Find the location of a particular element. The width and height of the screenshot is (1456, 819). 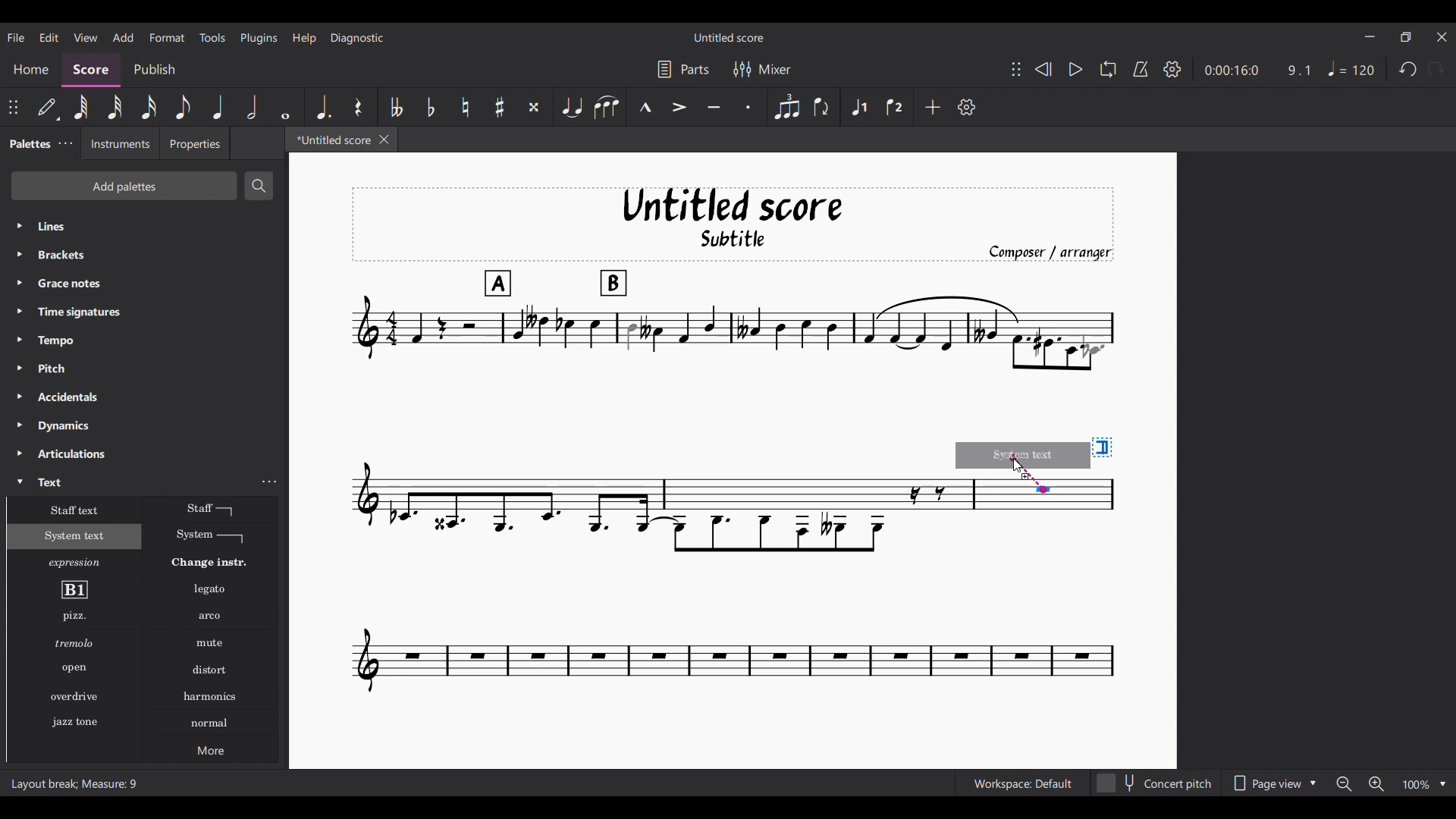

Text settings is located at coordinates (269, 482).